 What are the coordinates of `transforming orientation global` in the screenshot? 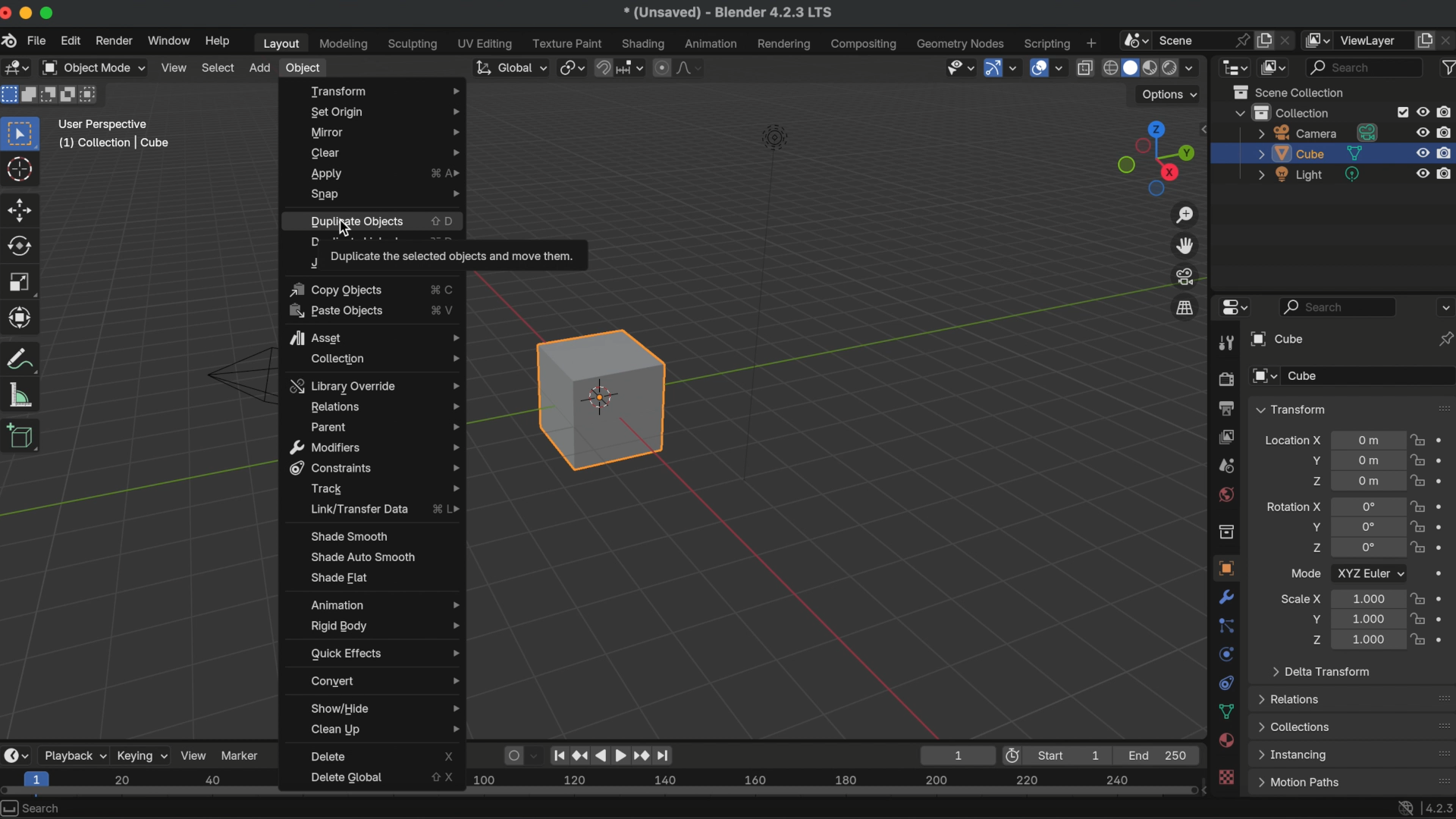 It's located at (509, 67).